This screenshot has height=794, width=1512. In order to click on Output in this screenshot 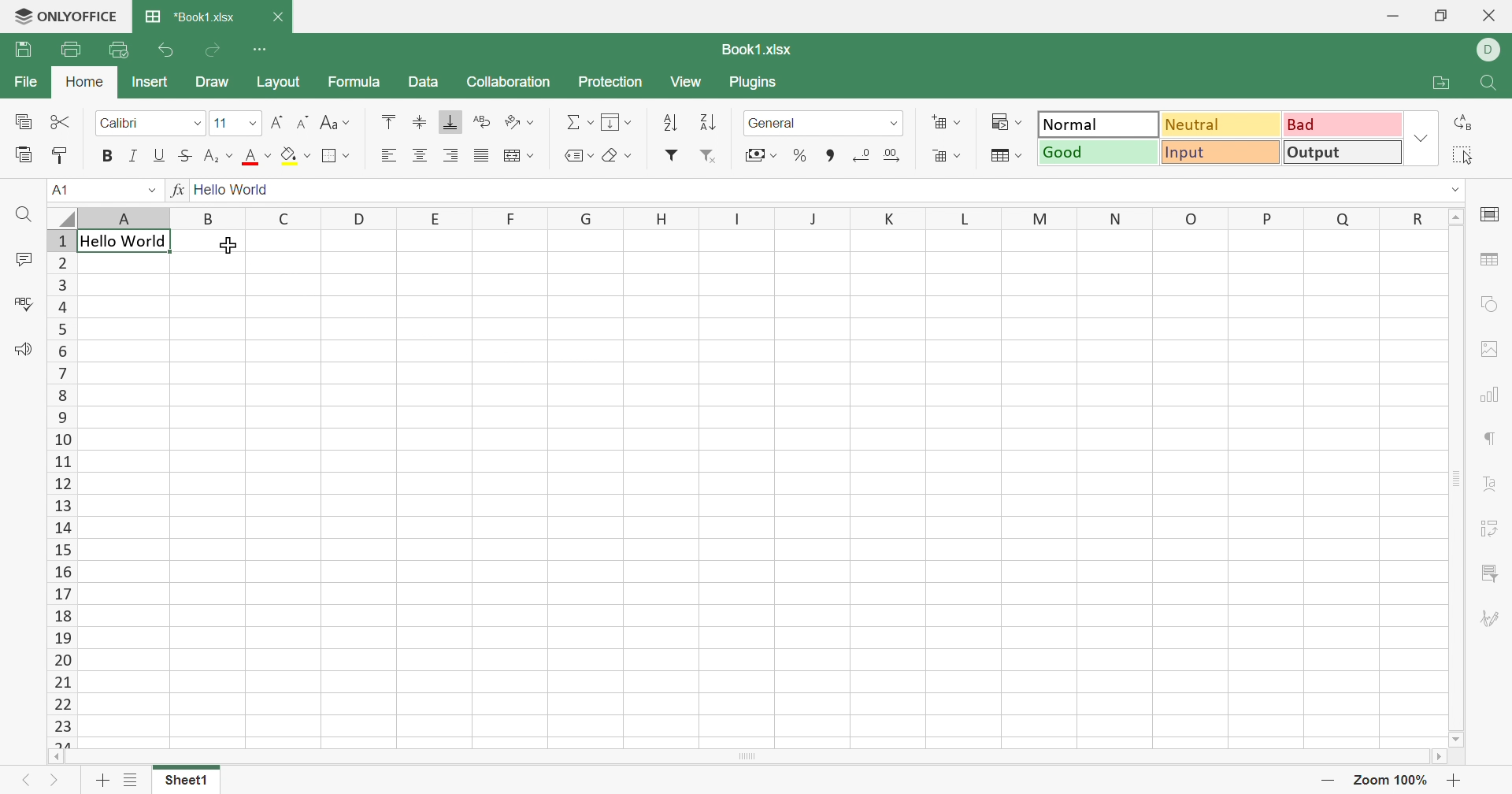, I will do `click(1342, 152)`.